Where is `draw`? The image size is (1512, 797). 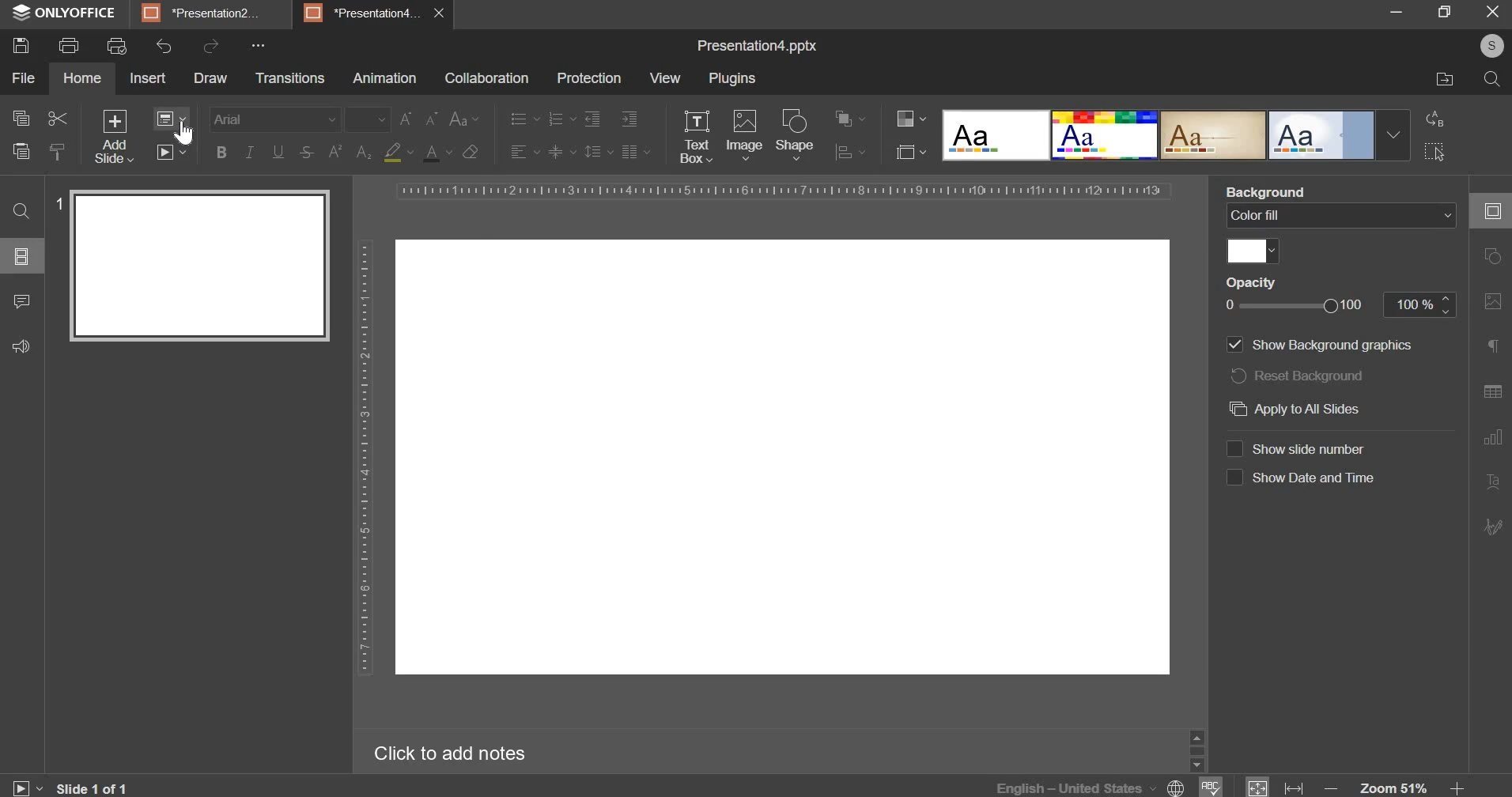
draw is located at coordinates (211, 77).